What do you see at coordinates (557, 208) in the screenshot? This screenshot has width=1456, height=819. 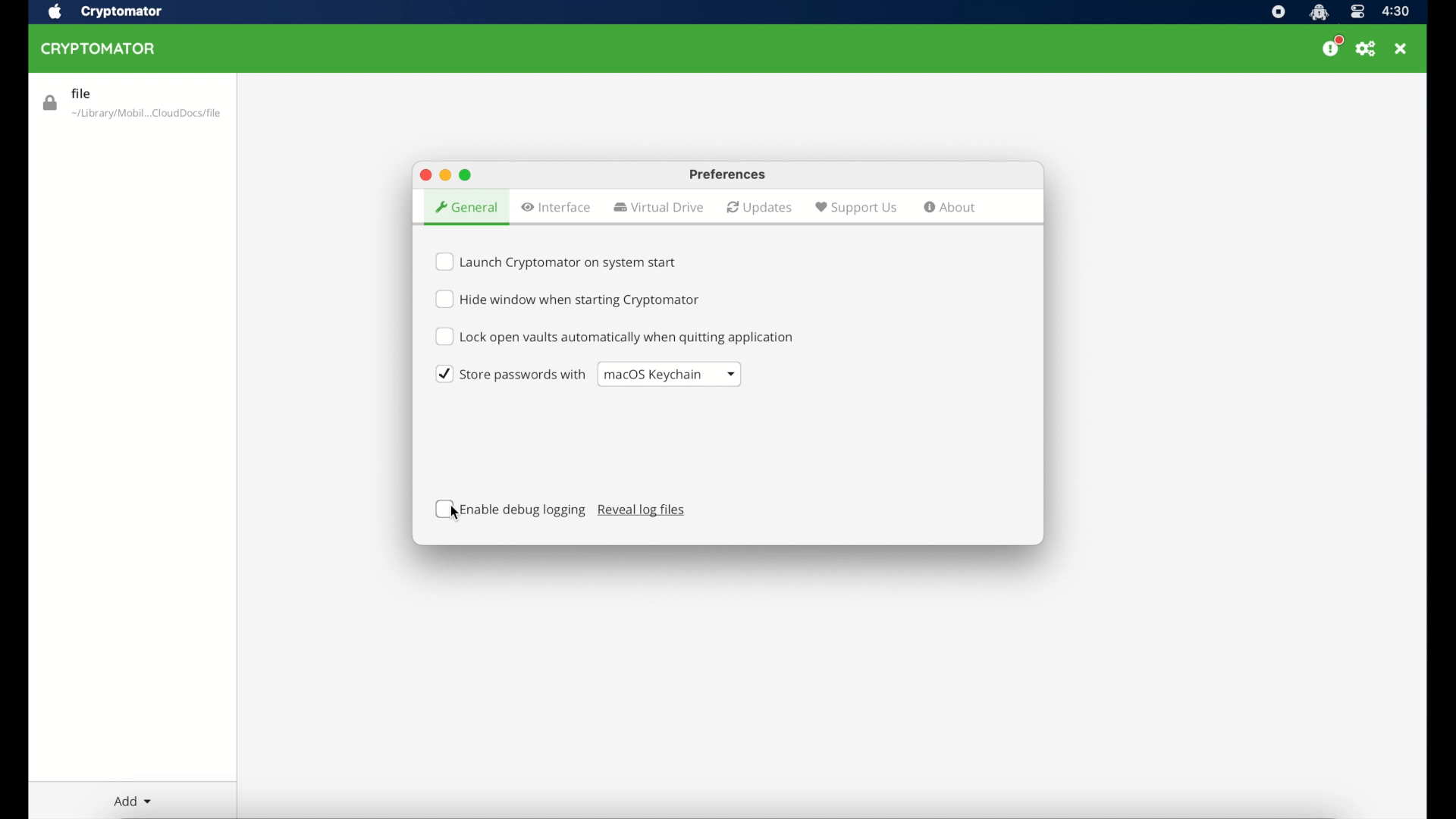 I see `interface` at bounding box center [557, 208].